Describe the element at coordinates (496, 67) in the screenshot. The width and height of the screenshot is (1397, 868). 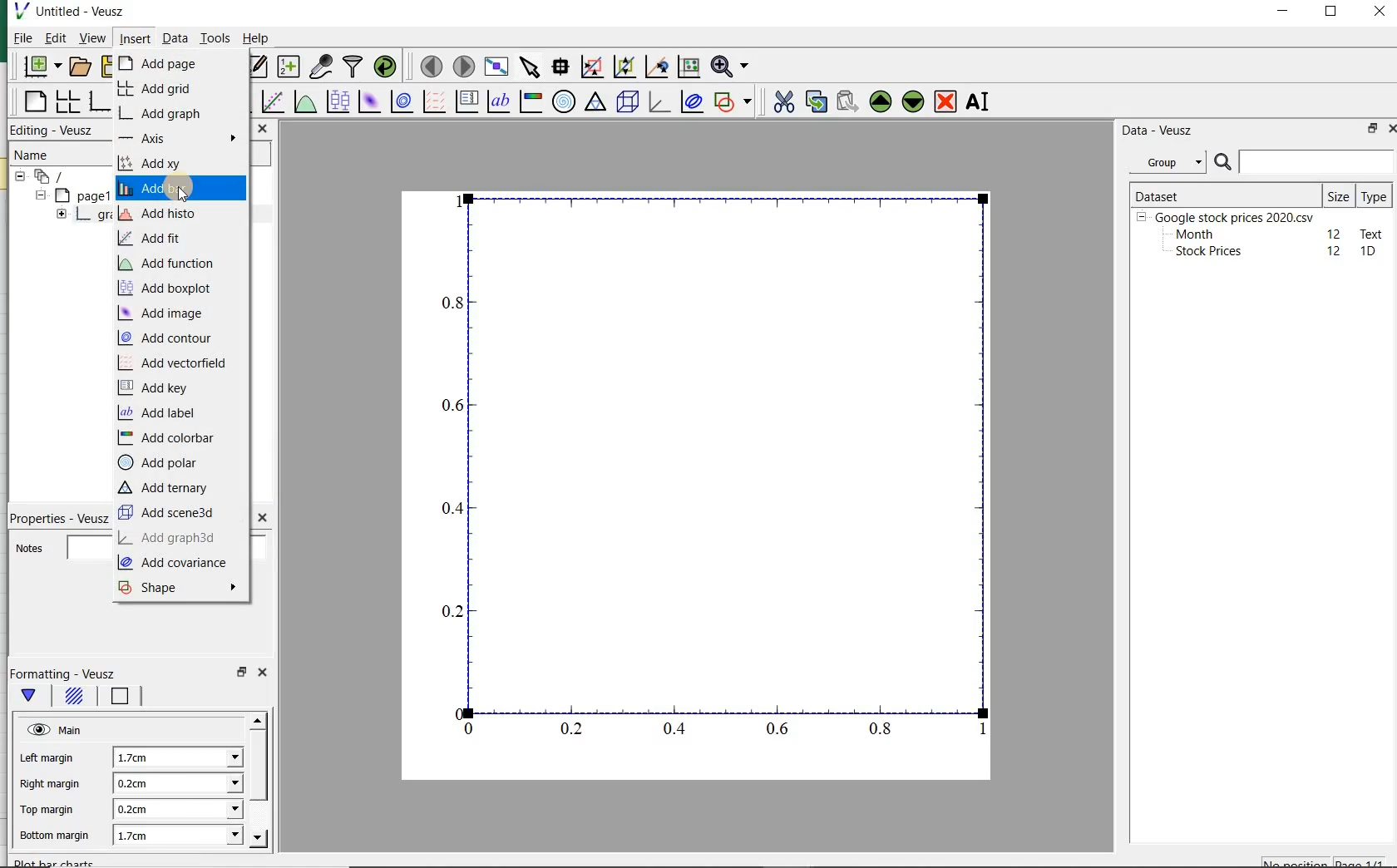
I see `view plot full screen` at that location.